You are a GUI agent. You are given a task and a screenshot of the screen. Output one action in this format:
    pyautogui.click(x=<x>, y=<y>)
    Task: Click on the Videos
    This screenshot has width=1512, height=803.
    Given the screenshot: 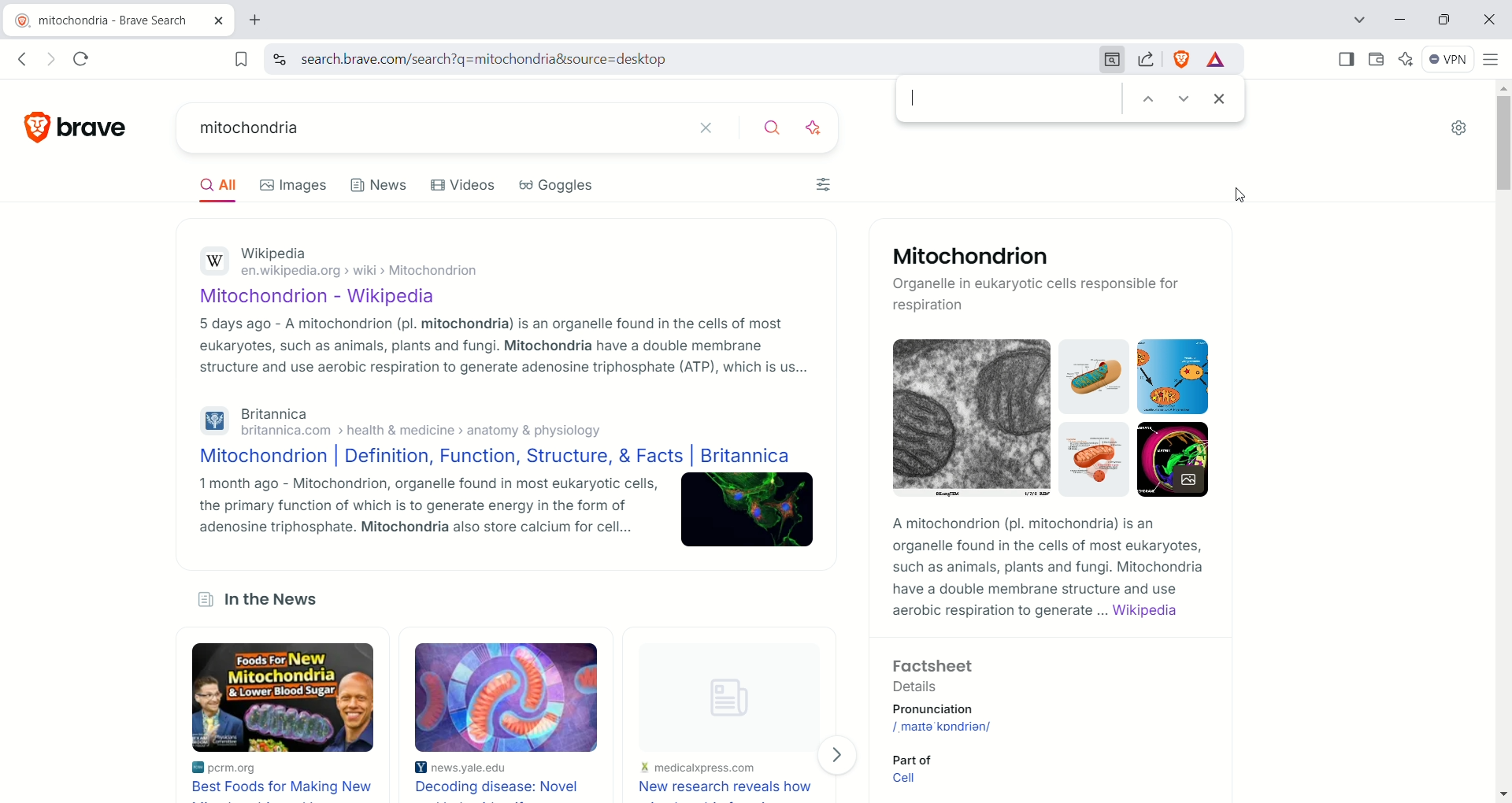 What is the action you would take?
    pyautogui.click(x=462, y=185)
    